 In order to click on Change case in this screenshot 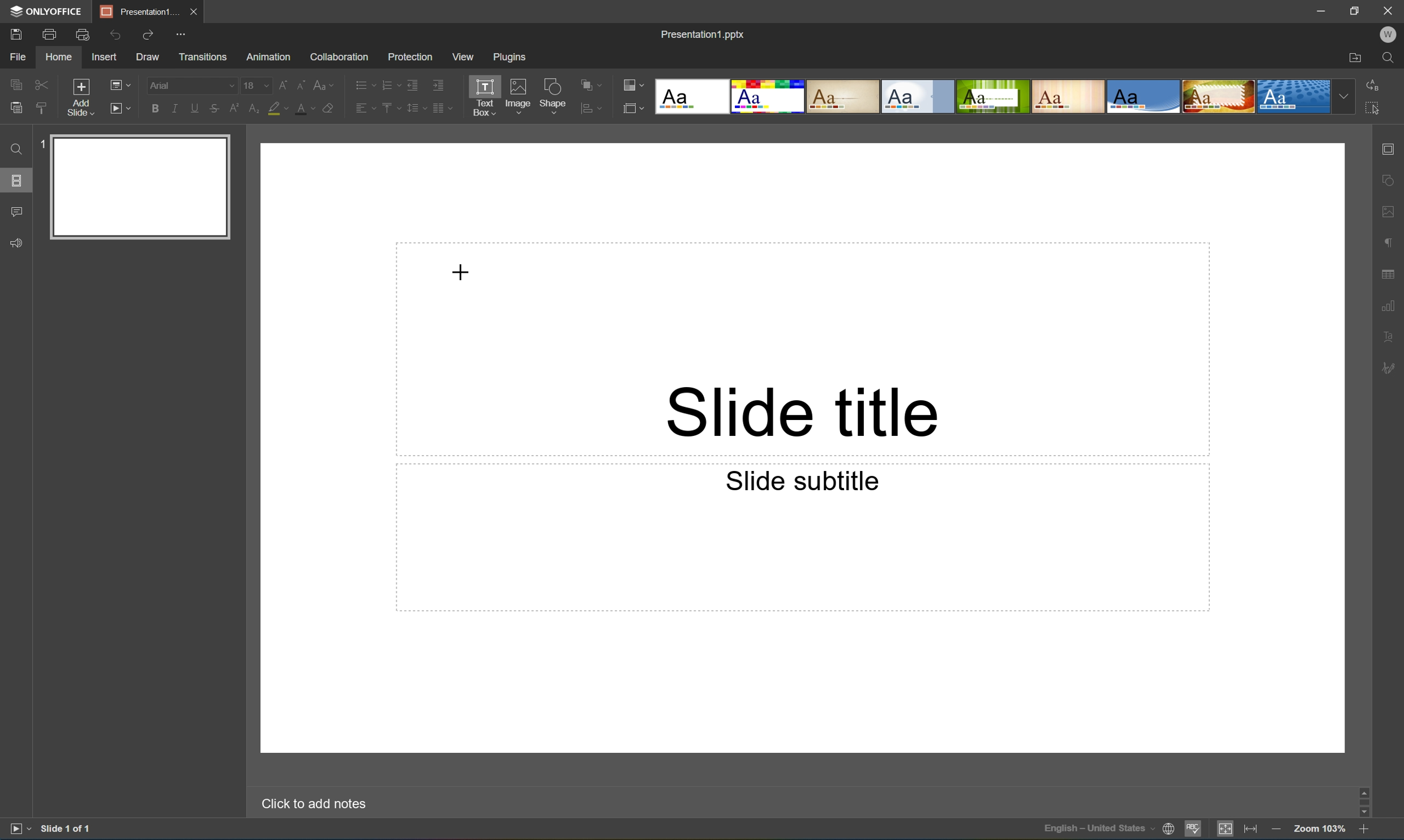, I will do `click(324, 82)`.